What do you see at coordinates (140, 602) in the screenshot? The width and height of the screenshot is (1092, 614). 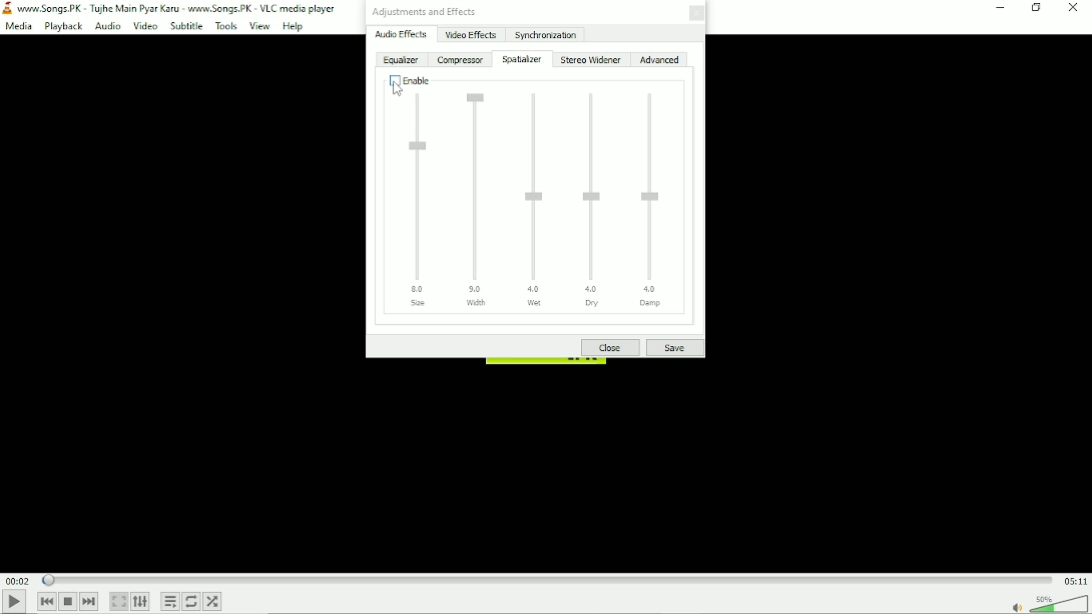 I see `Show extended settings` at bounding box center [140, 602].